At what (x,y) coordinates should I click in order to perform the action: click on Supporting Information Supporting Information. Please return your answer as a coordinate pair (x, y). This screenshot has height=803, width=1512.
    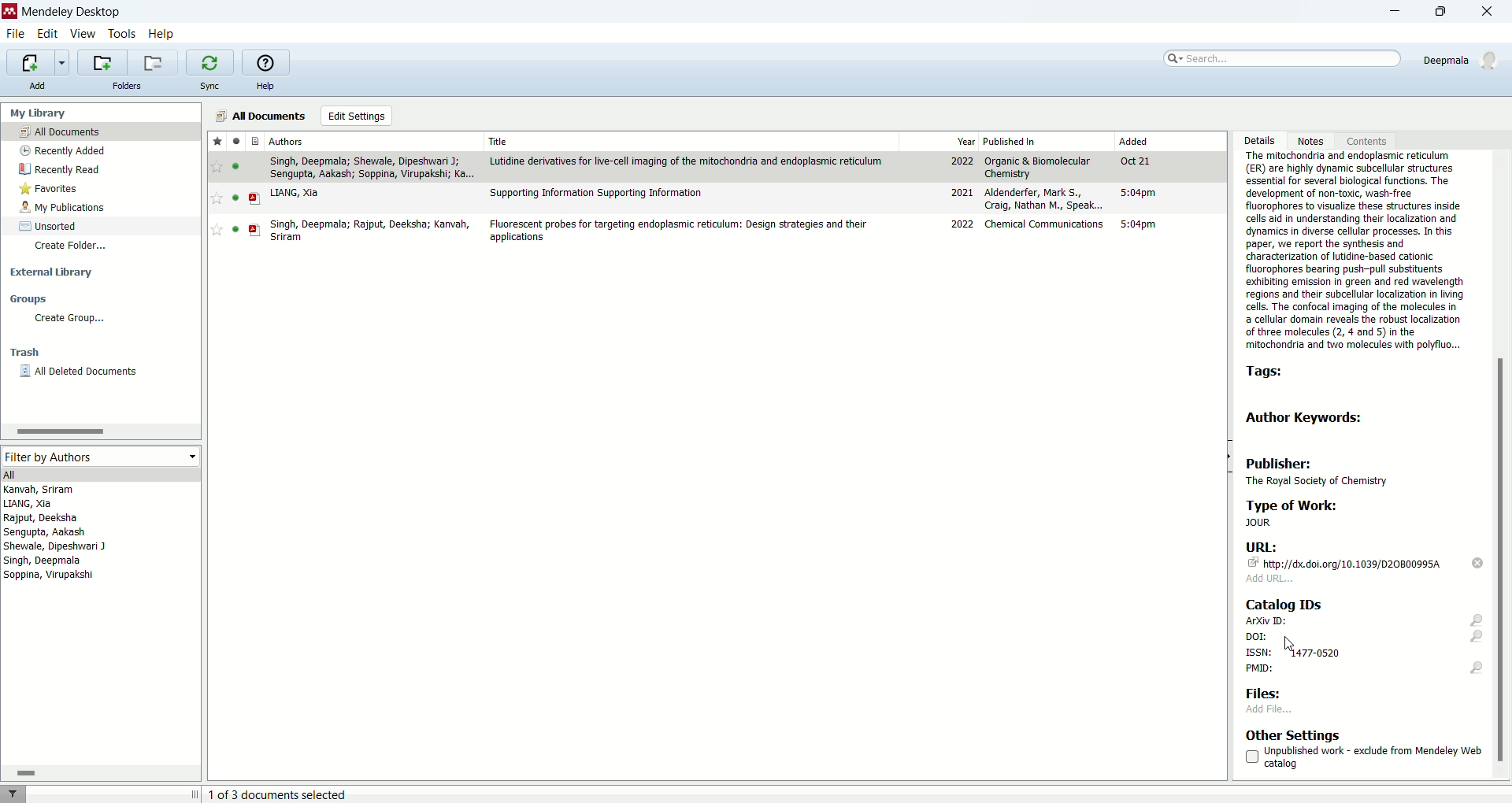
    Looking at the image, I should click on (597, 194).